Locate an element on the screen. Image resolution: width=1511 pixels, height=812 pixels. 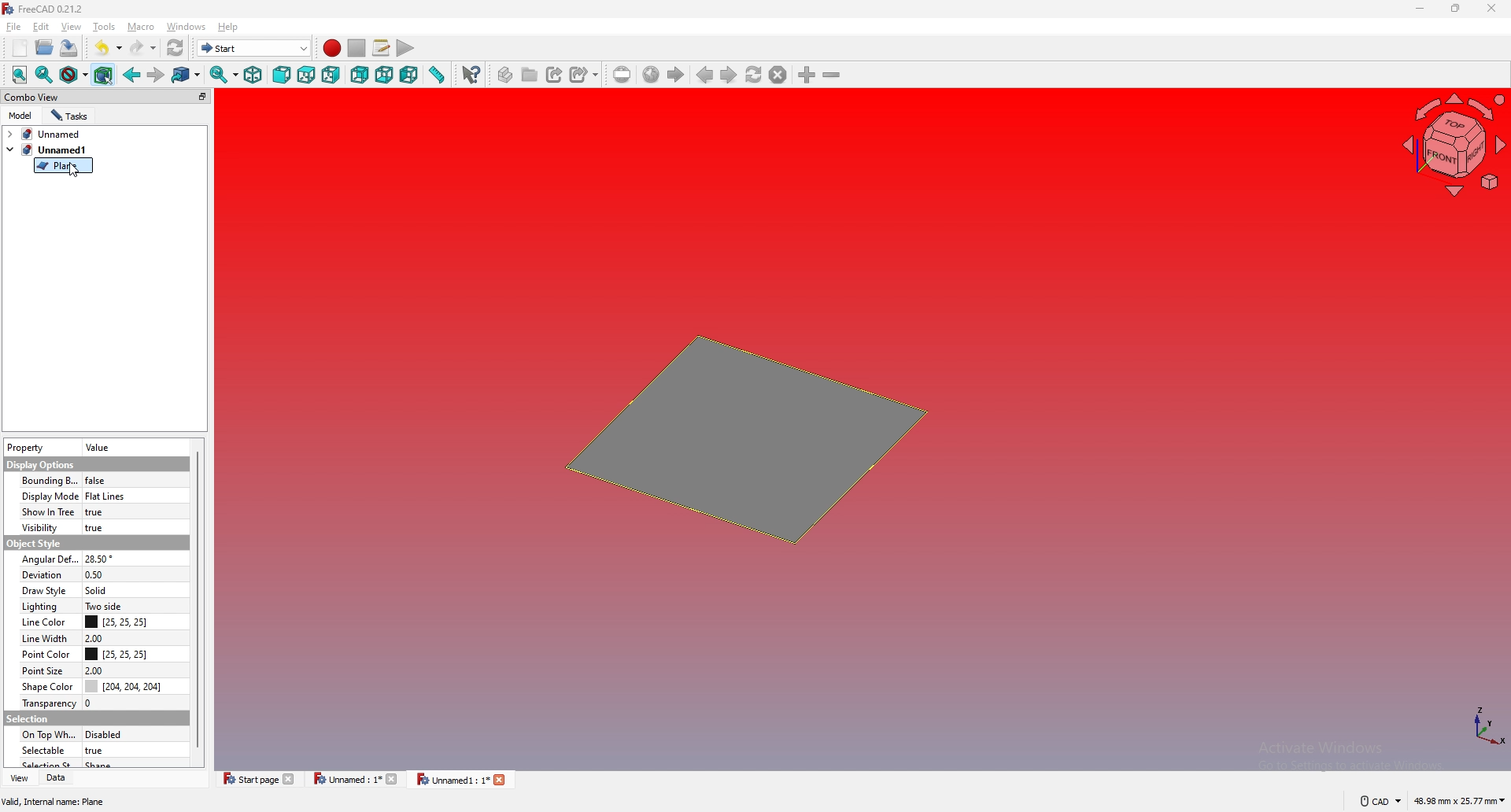
point size is located at coordinates (45, 670).